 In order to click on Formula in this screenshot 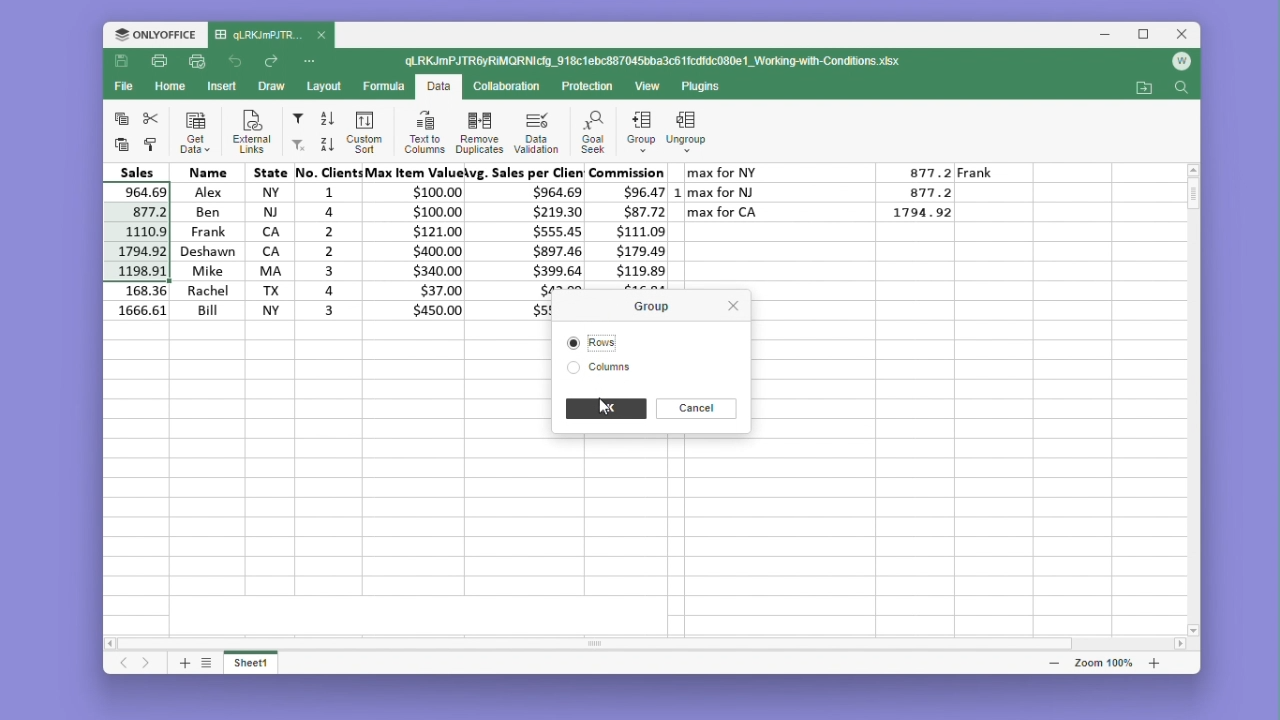, I will do `click(385, 85)`.